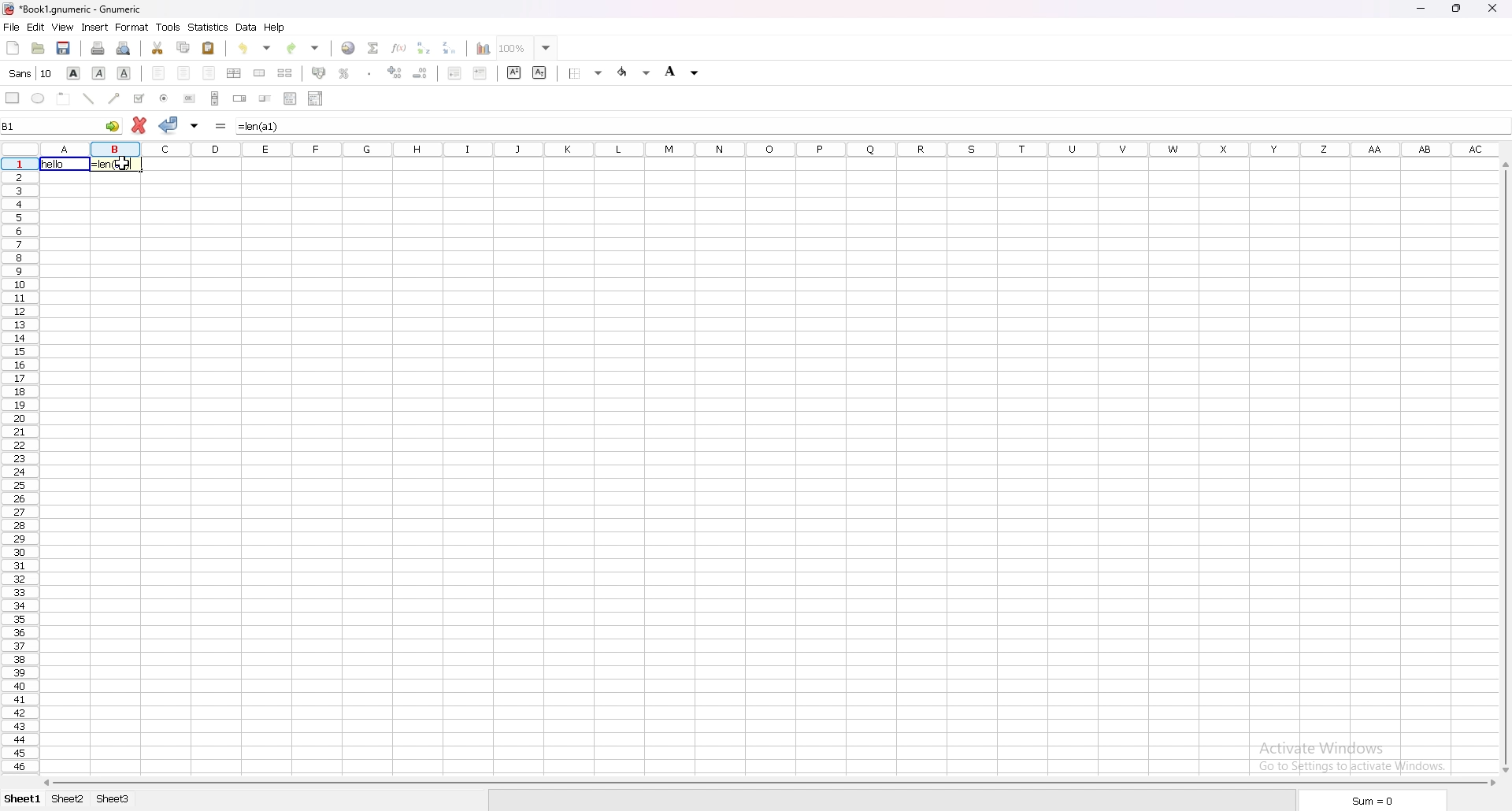 The width and height of the screenshot is (1512, 811). Describe the element at coordinates (455, 72) in the screenshot. I see `decrease indent` at that location.